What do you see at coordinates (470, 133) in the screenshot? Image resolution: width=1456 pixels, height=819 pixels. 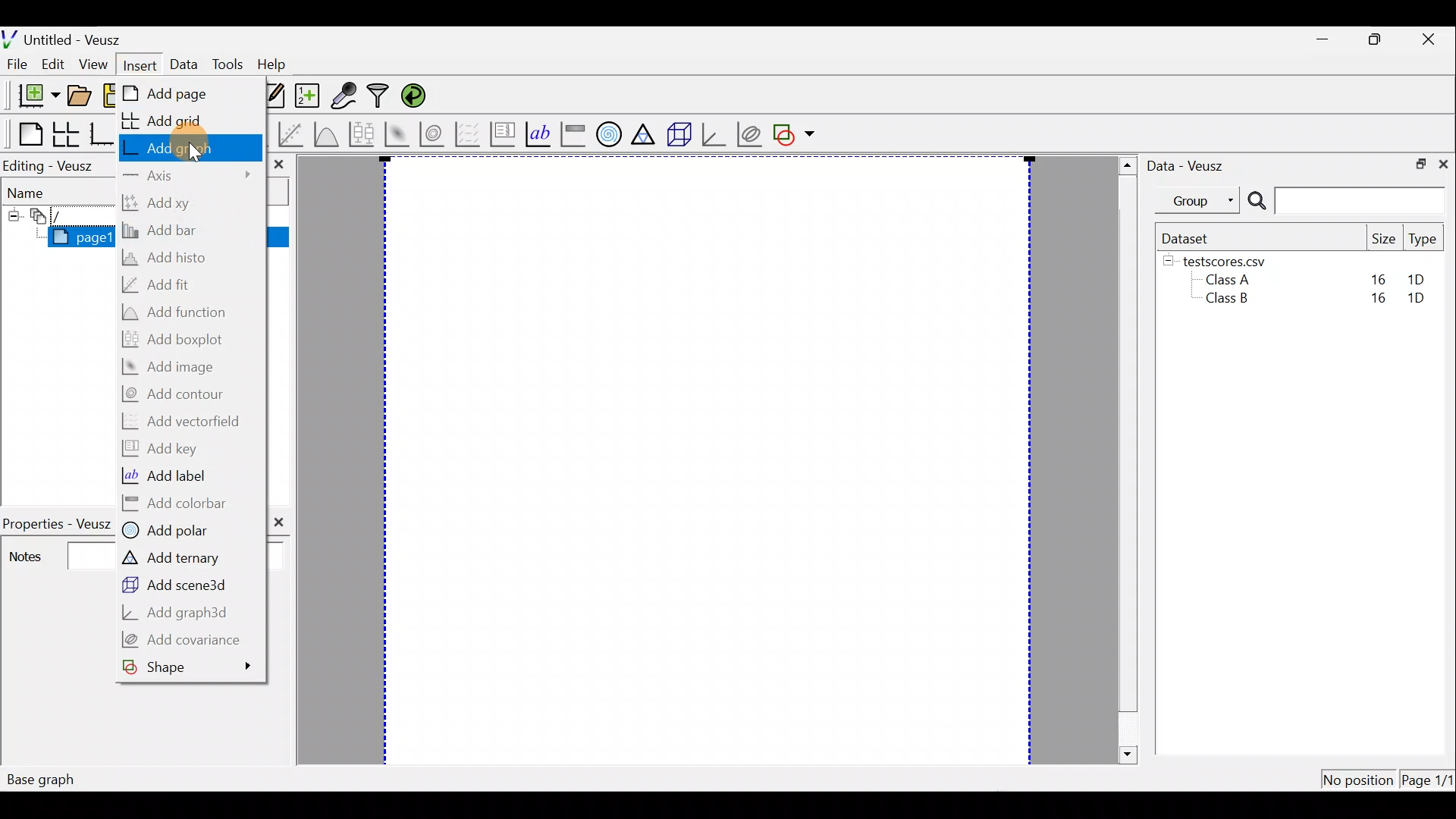 I see `Plot a vector field` at bounding box center [470, 133].